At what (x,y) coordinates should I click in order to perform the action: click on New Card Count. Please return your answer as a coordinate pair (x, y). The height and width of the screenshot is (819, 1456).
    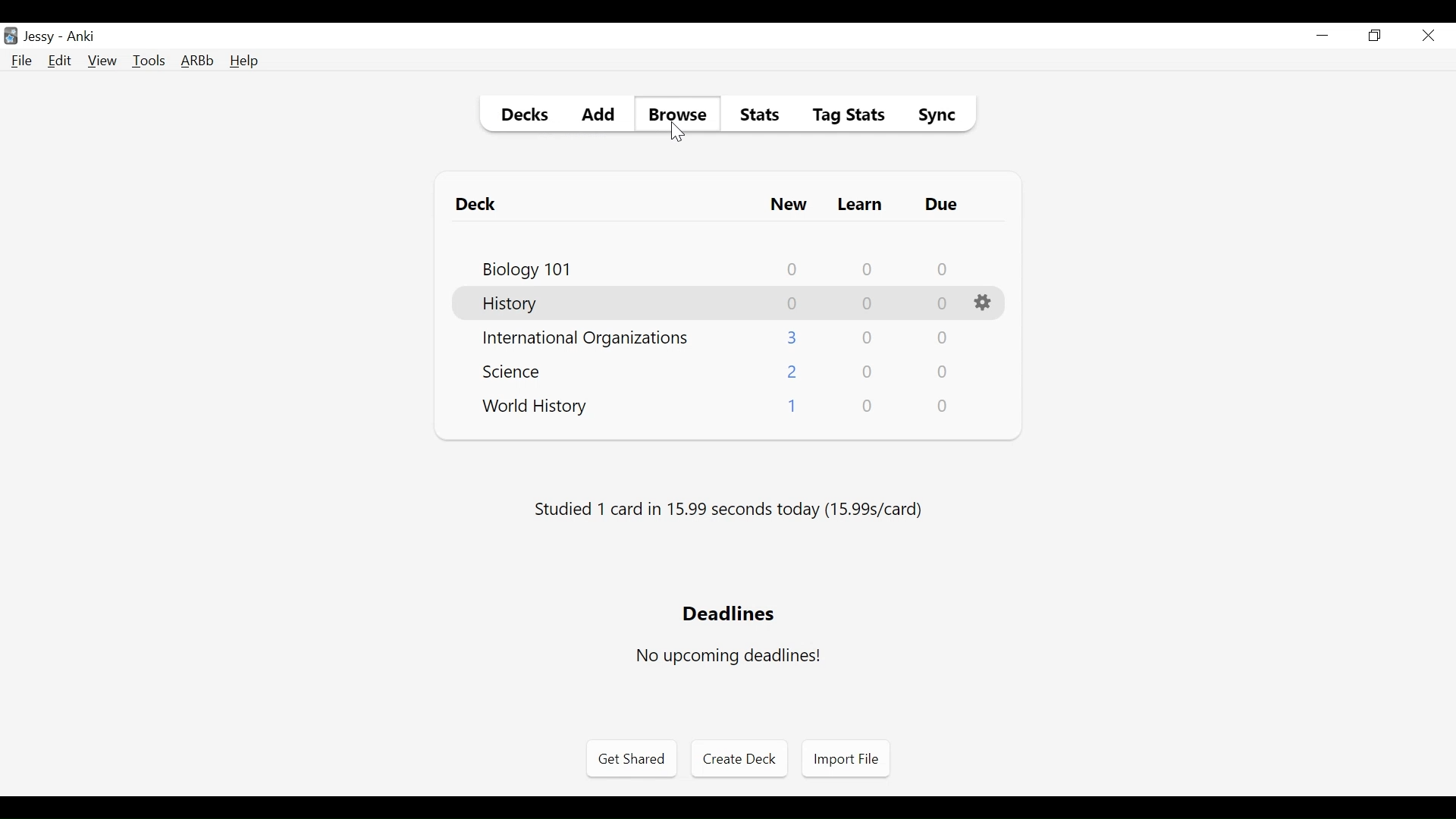
    Looking at the image, I should click on (790, 372).